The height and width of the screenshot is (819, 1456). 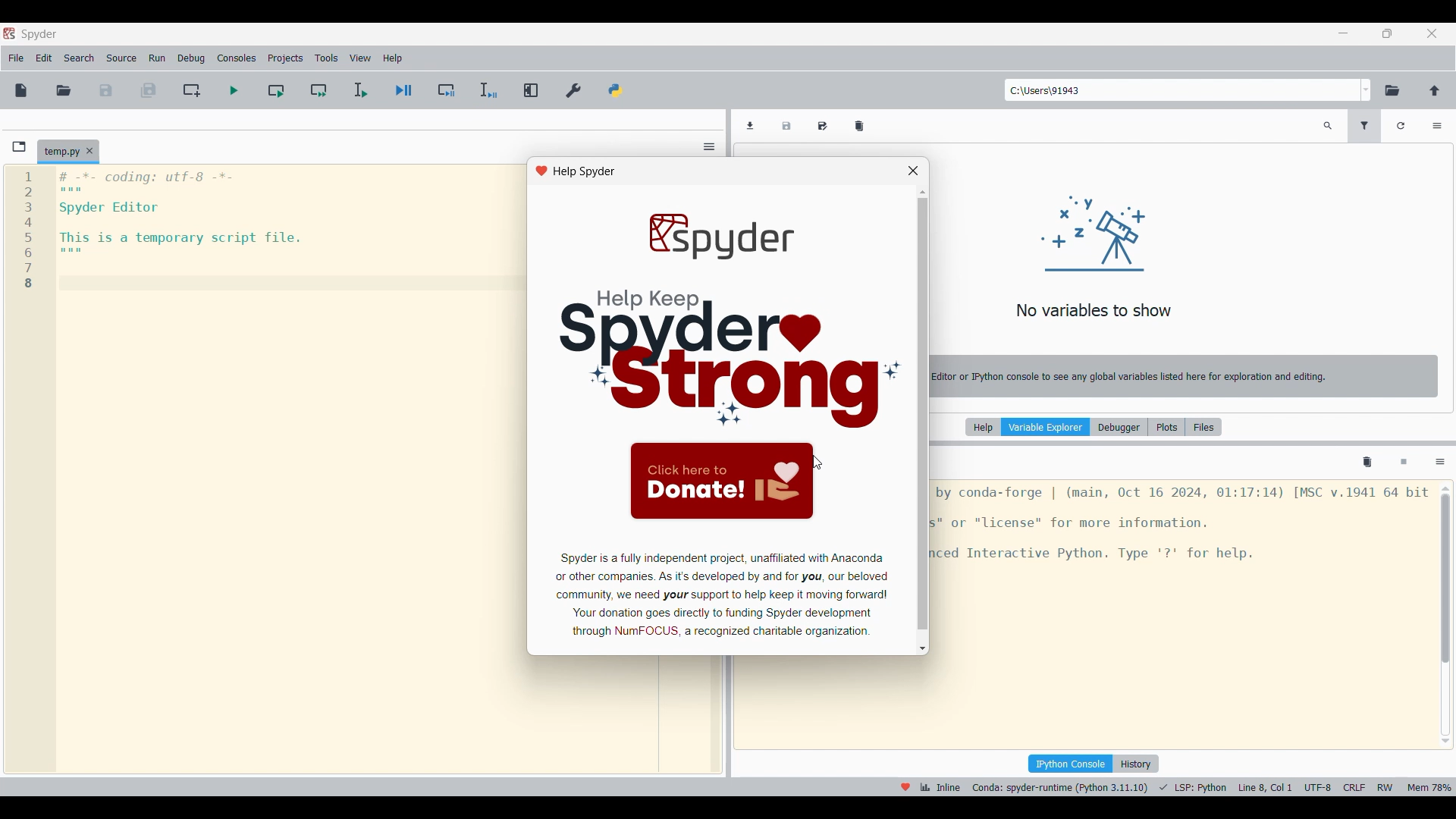 What do you see at coordinates (91, 120) in the screenshot?
I see `File path` at bounding box center [91, 120].